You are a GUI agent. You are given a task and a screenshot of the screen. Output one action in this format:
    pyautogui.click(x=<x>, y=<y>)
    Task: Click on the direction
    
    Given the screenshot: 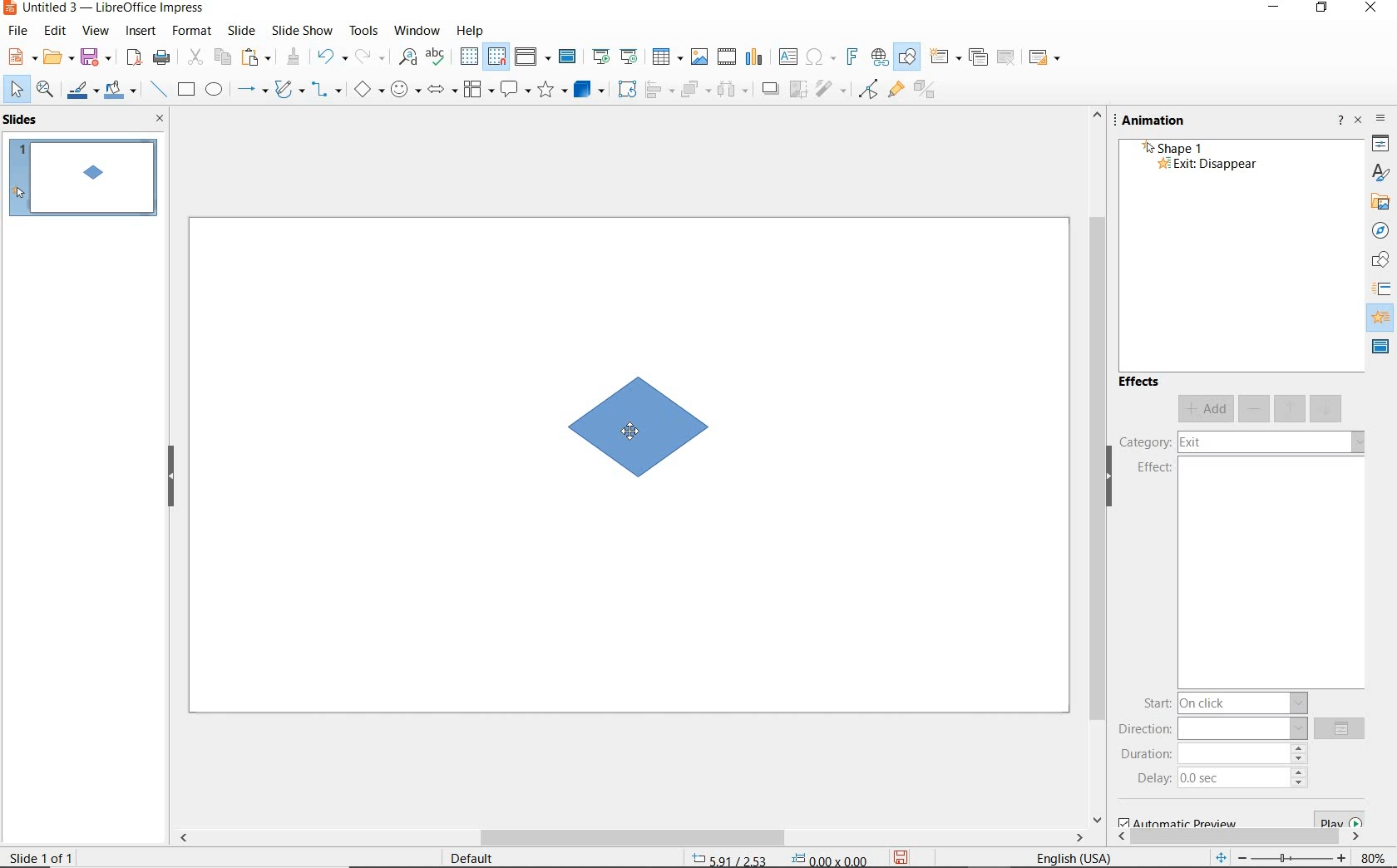 What is the action you would take?
    pyautogui.click(x=1208, y=728)
    